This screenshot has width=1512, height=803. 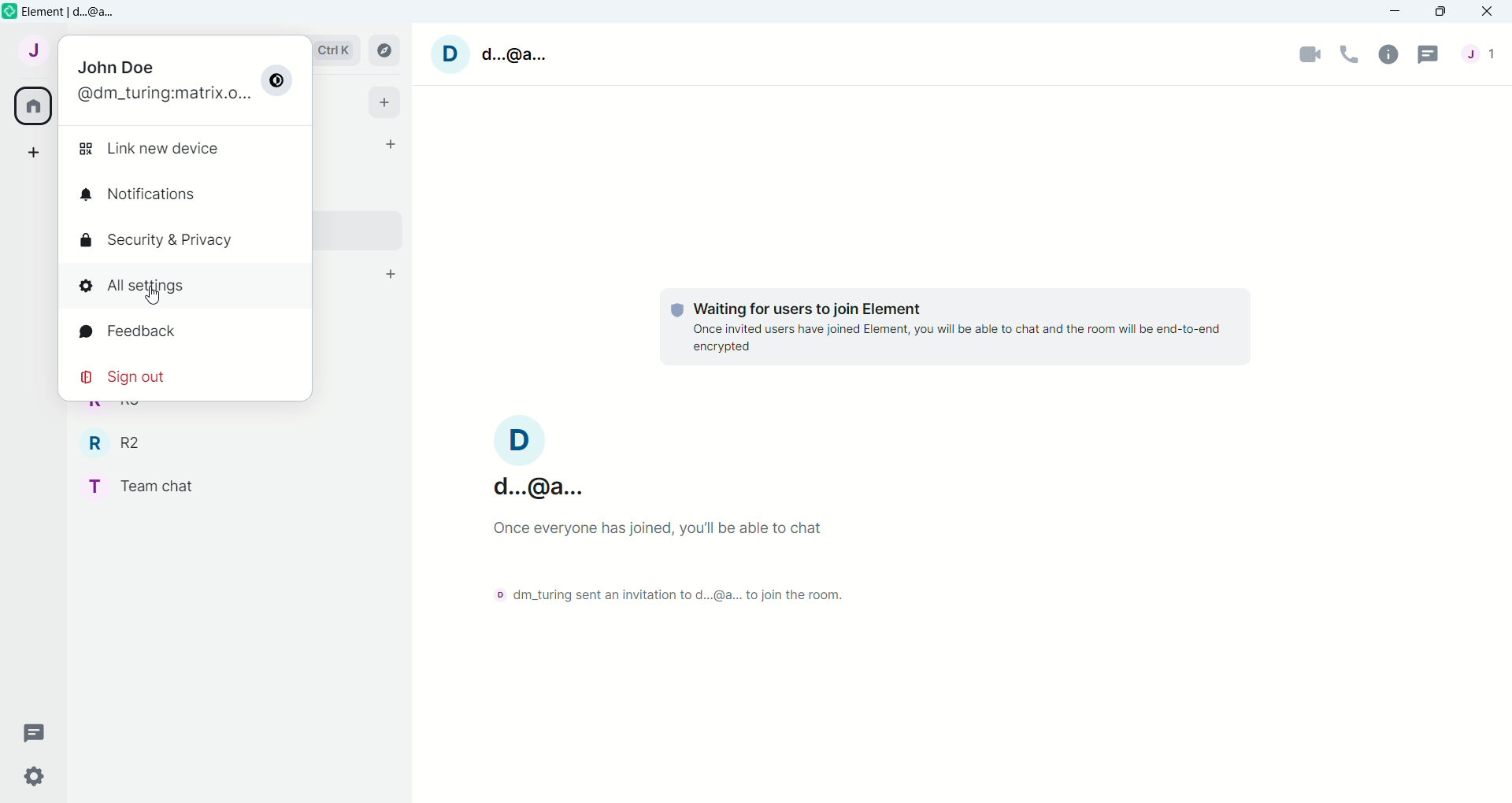 I want to click on Notifications, so click(x=138, y=192).